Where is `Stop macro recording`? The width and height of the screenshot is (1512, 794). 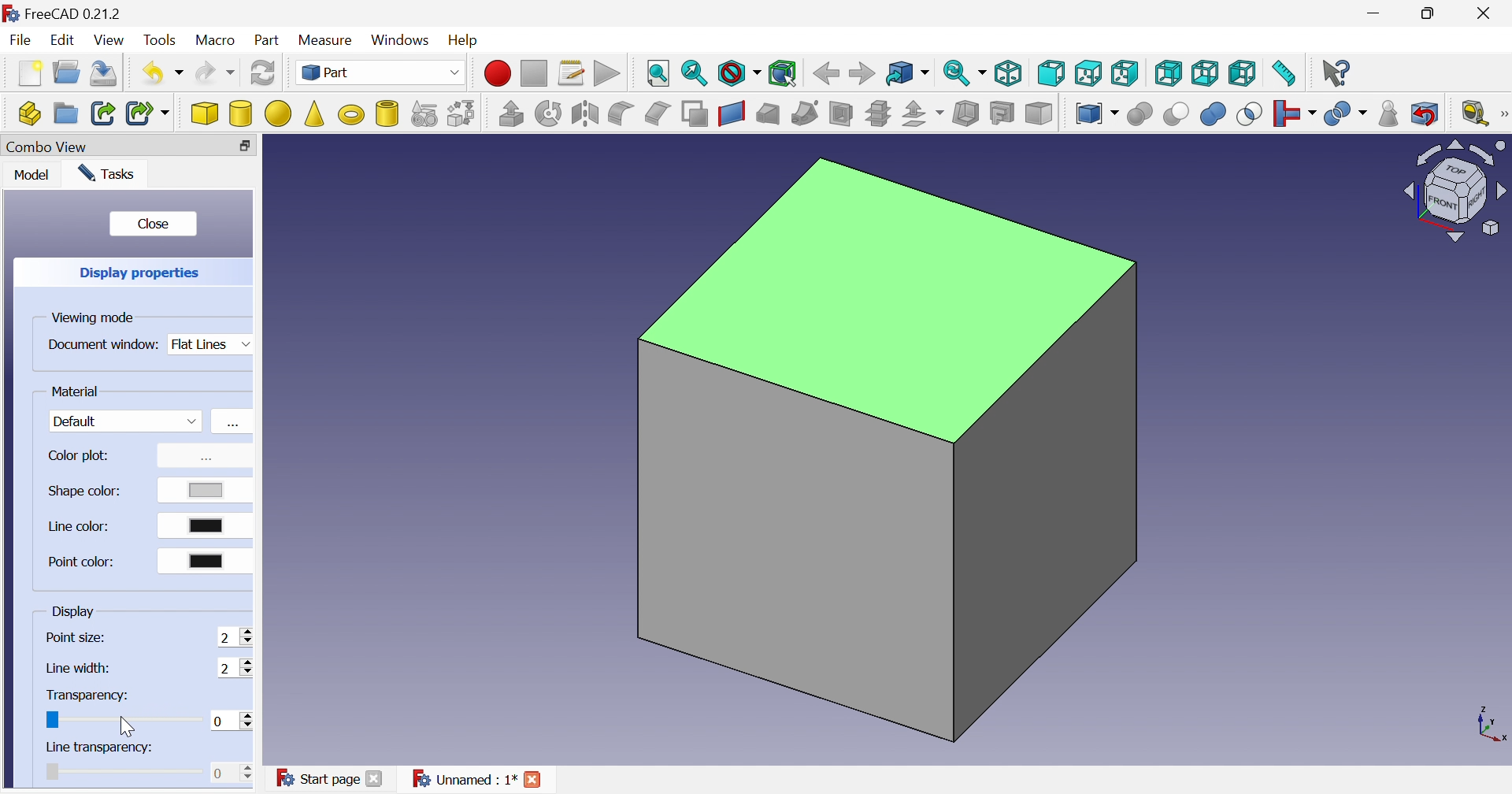
Stop macro recording is located at coordinates (536, 74).